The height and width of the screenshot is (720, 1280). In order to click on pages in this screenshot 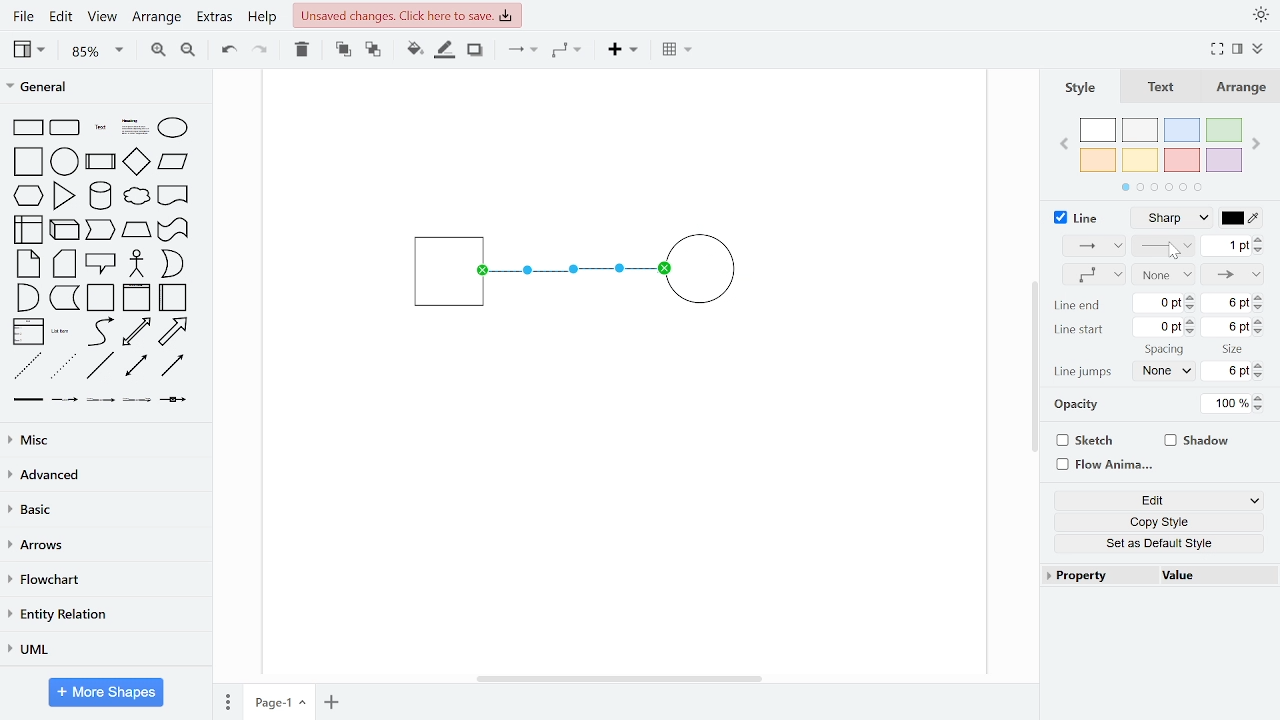, I will do `click(226, 699)`.